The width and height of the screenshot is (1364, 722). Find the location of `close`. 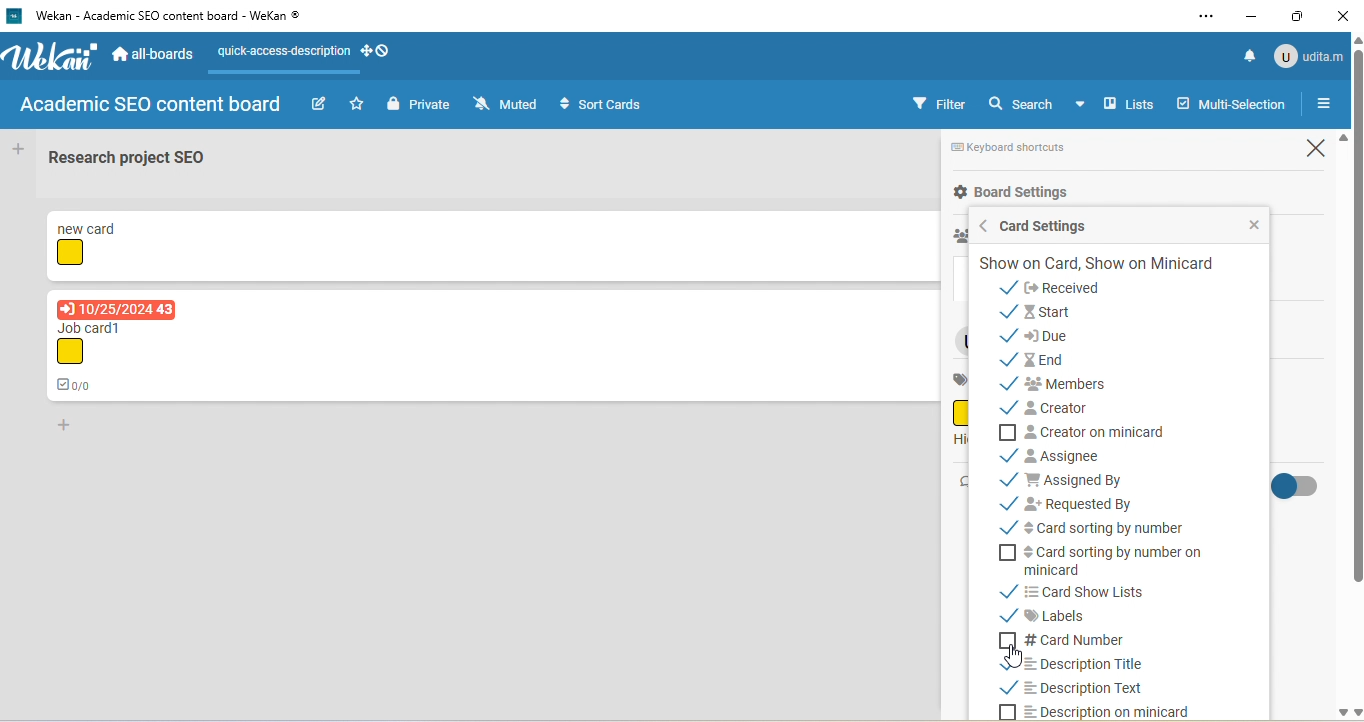

close is located at coordinates (1243, 224).